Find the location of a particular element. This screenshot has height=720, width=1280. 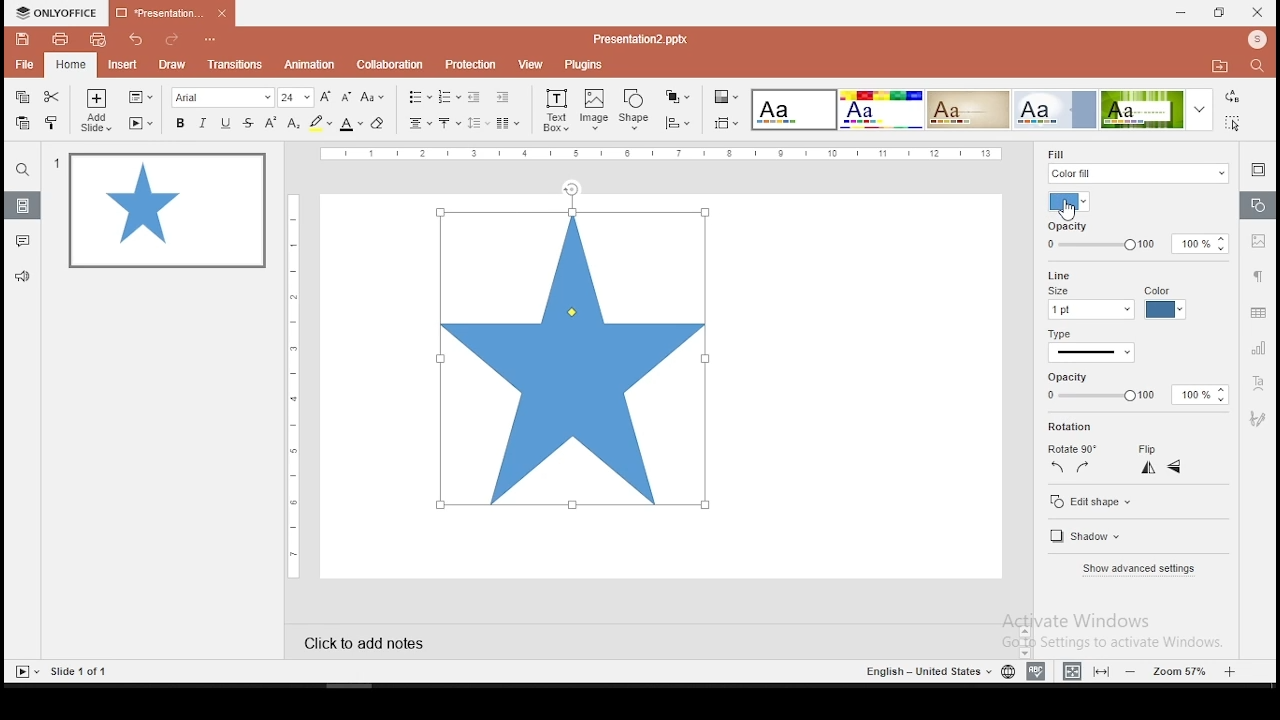

start slideshow is located at coordinates (141, 123).